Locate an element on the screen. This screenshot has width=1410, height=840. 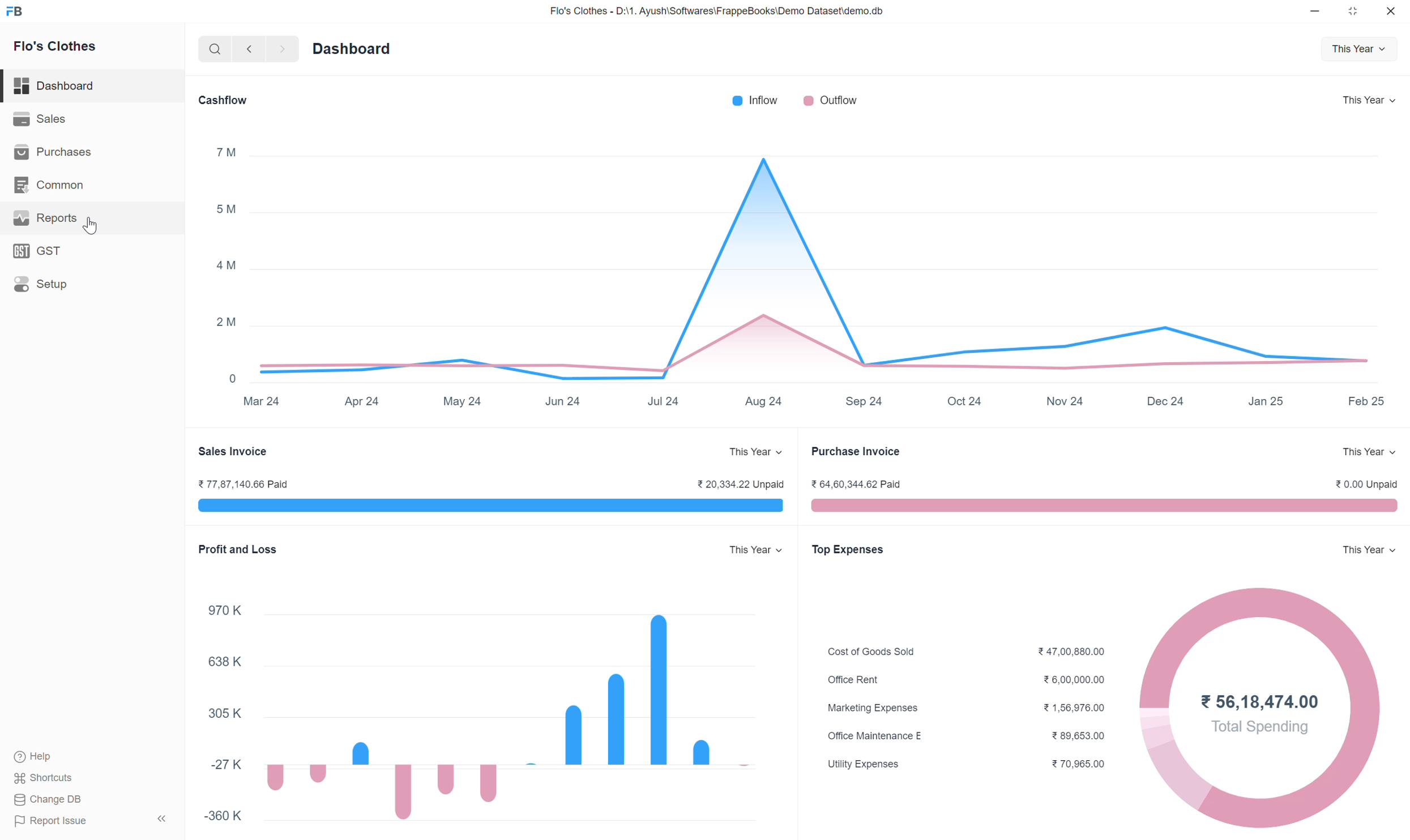
dashboard is located at coordinates (55, 83).